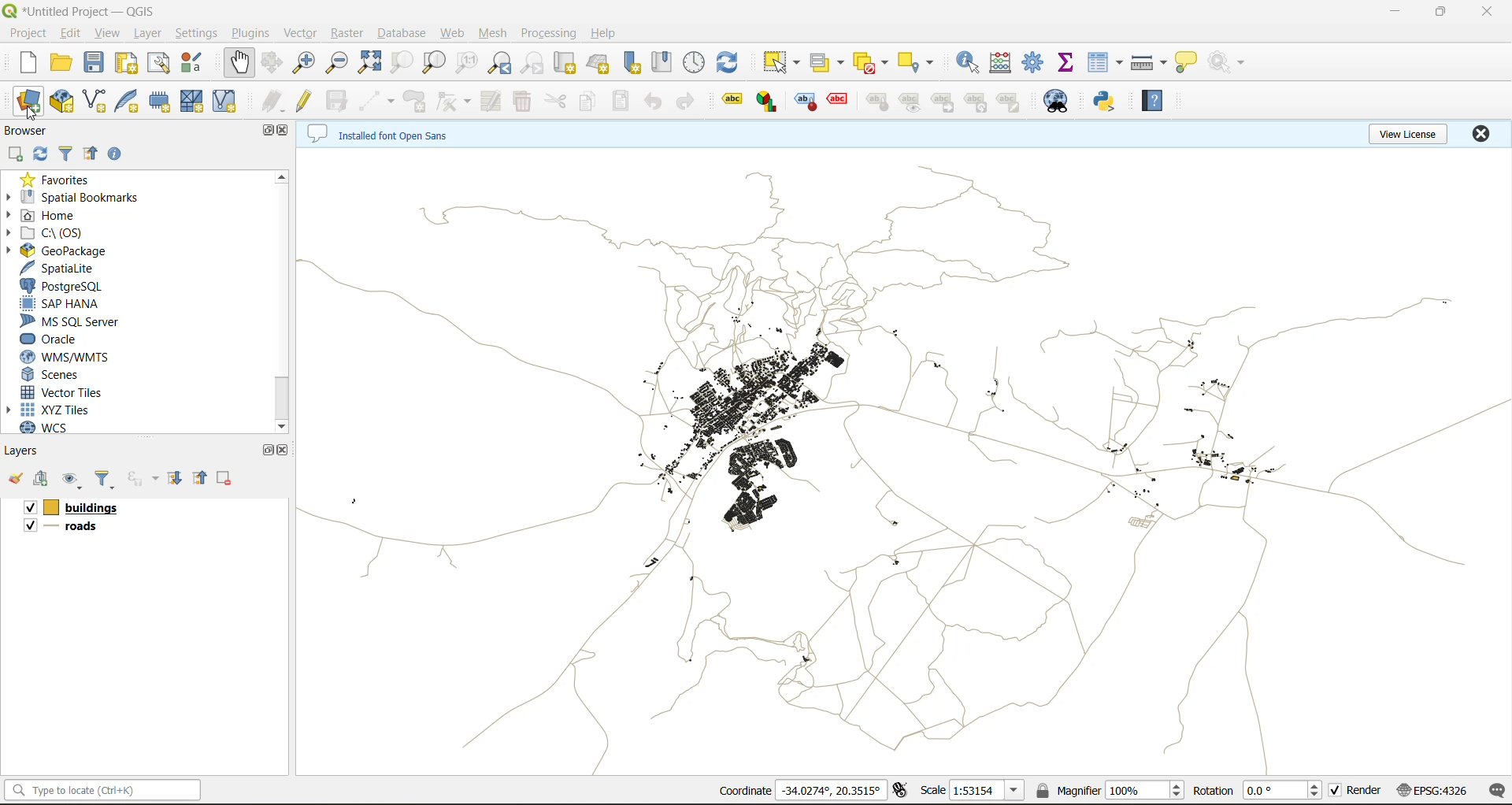 Image resolution: width=1512 pixels, height=805 pixels. What do you see at coordinates (921, 61) in the screenshot?
I see `select location` at bounding box center [921, 61].